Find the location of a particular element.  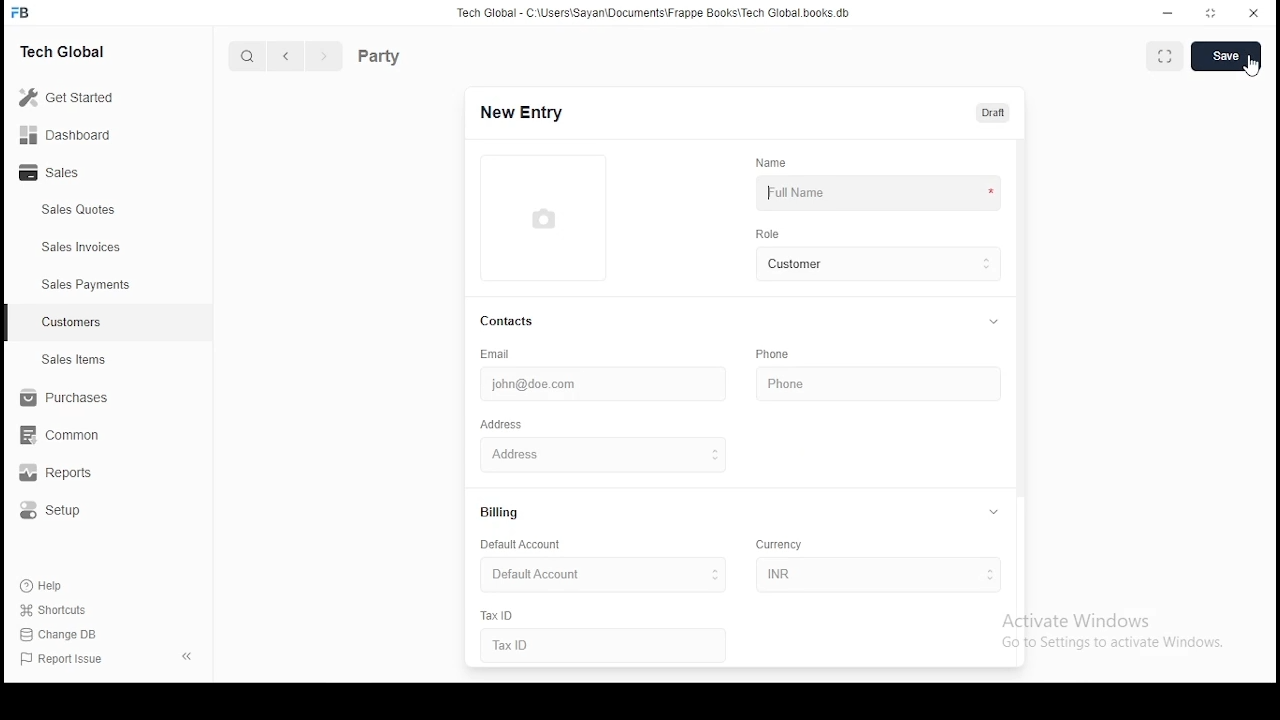

previous is located at coordinates (286, 56).